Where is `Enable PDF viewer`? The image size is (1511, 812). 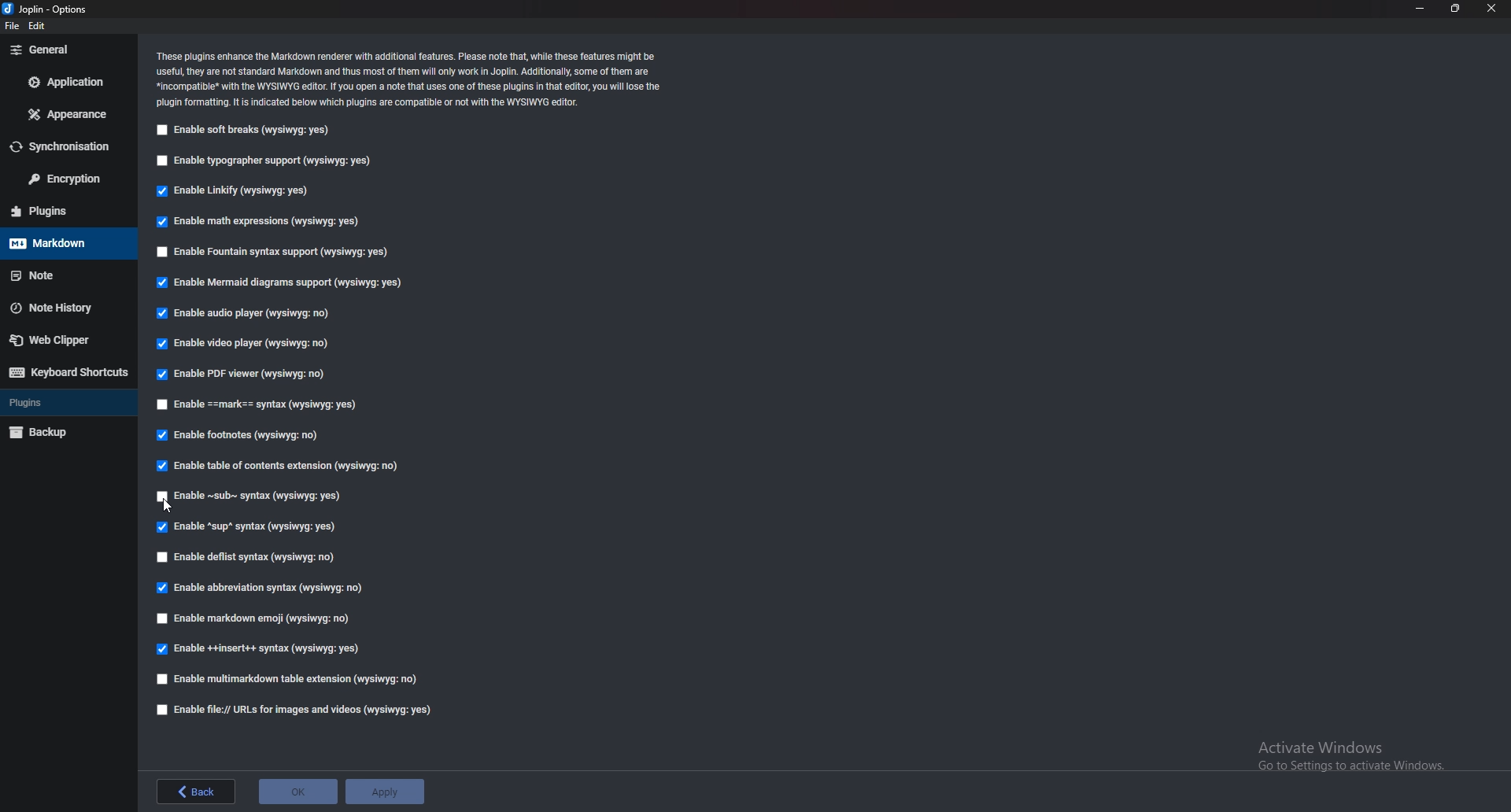 Enable PDF viewer is located at coordinates (235, 375).